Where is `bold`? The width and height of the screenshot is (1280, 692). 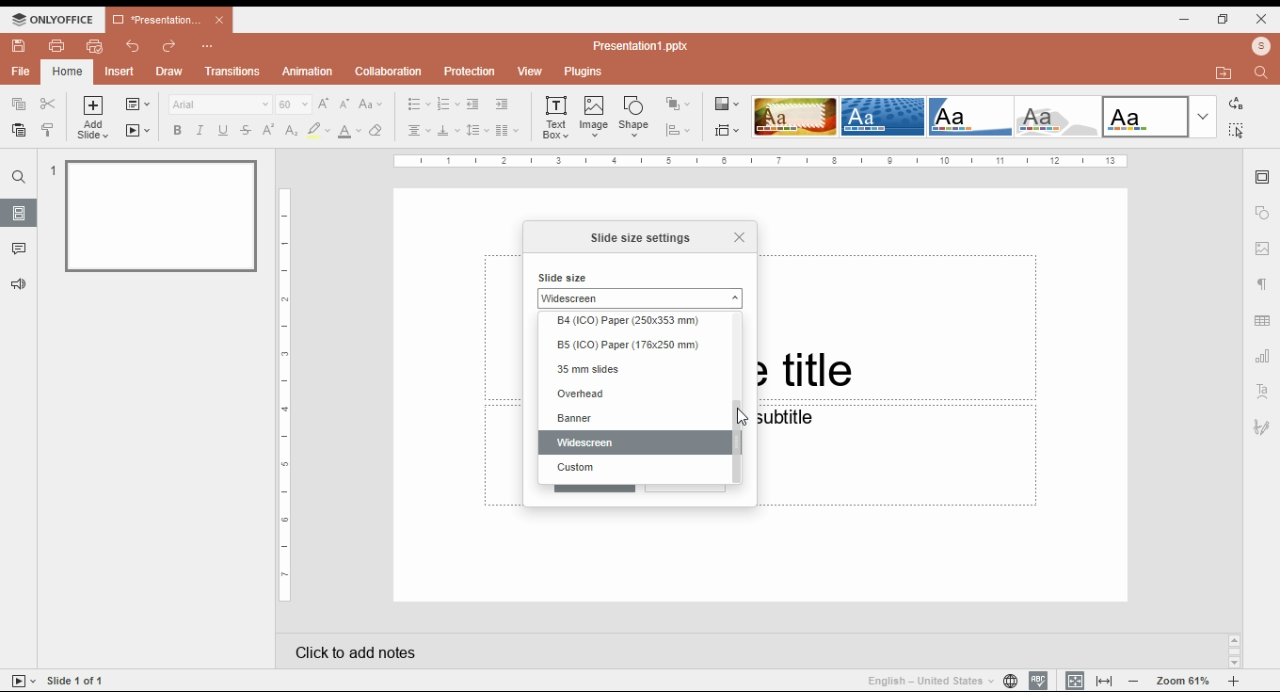
bold is located at coordinates (176, 130).